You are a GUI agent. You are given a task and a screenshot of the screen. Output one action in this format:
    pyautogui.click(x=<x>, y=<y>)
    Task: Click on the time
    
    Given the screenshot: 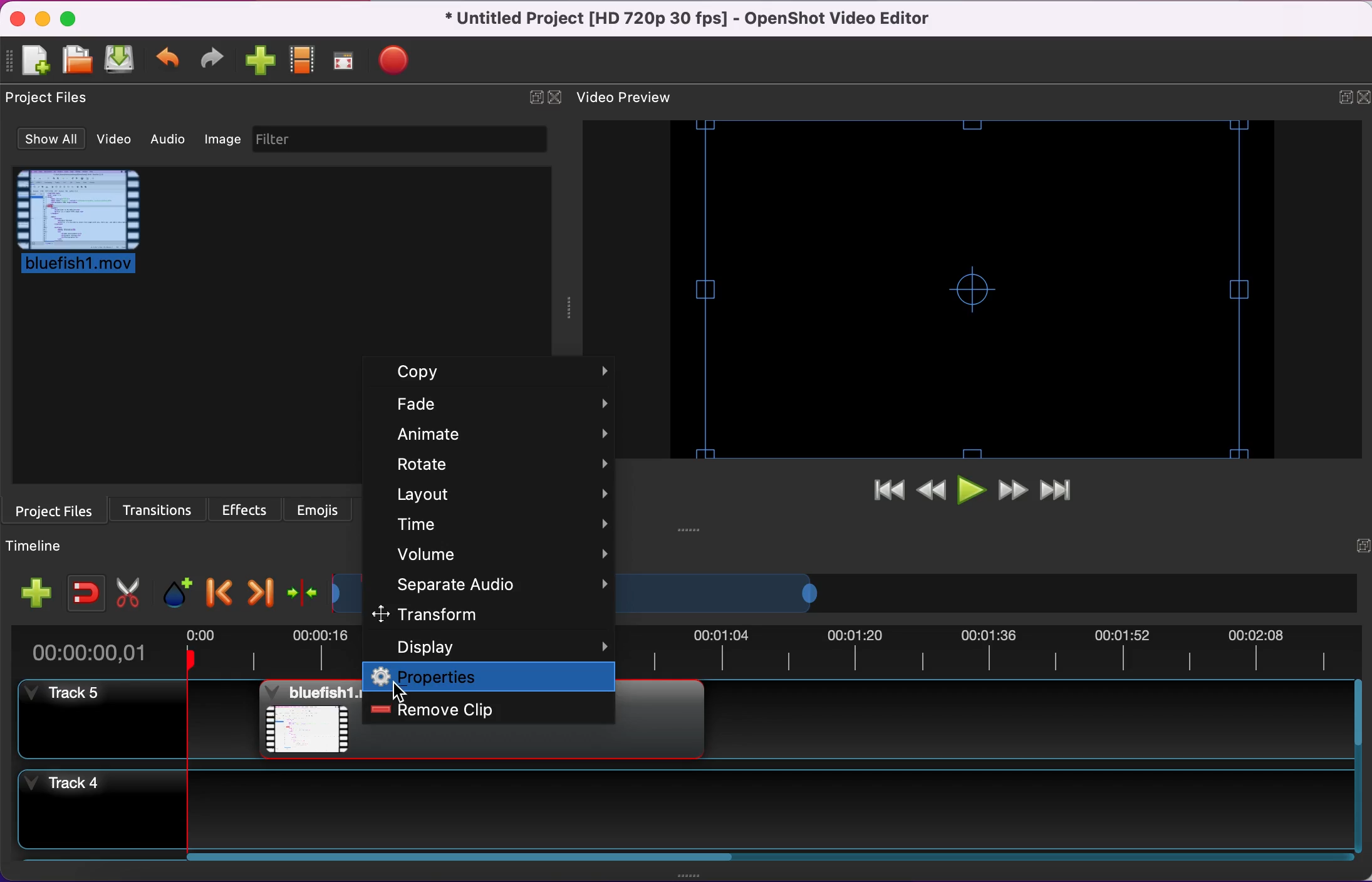 What is the action you would take?
    pyautogui.click(x=502, y=526)
    